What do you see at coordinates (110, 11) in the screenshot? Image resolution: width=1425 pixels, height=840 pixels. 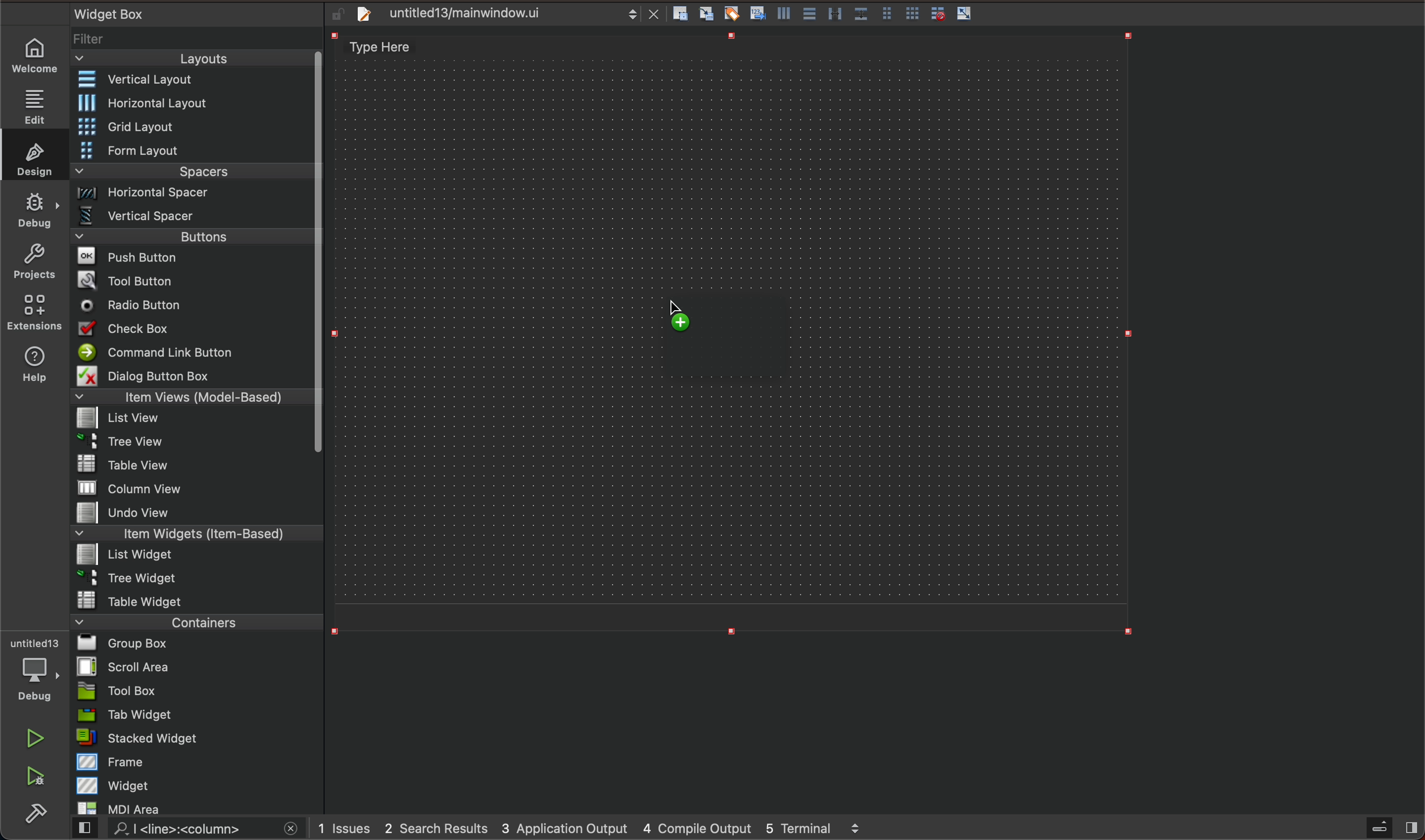 I see `text` at bounding box center [110, 11].